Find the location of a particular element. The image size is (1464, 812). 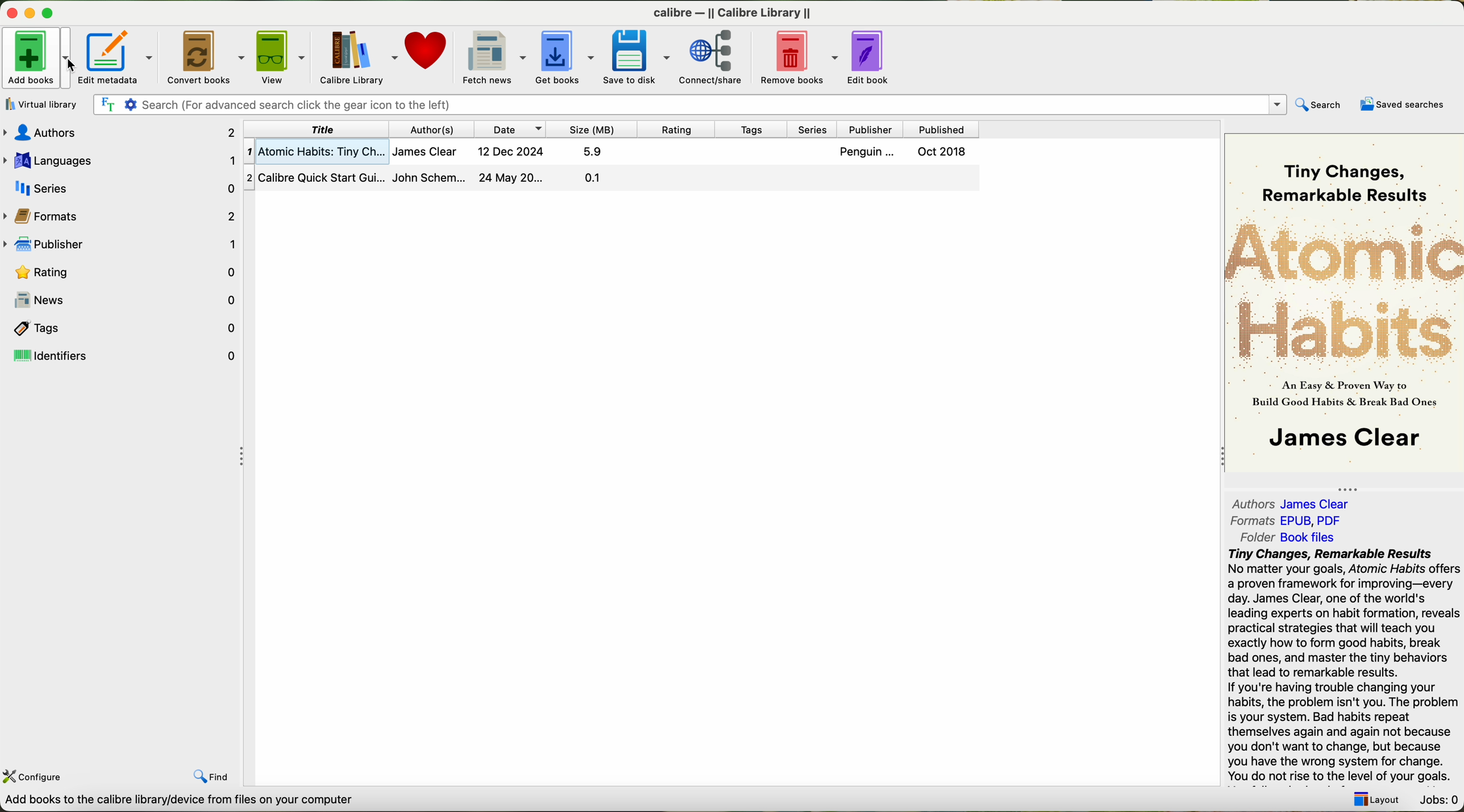

rating is located at coordinates (671, 129).